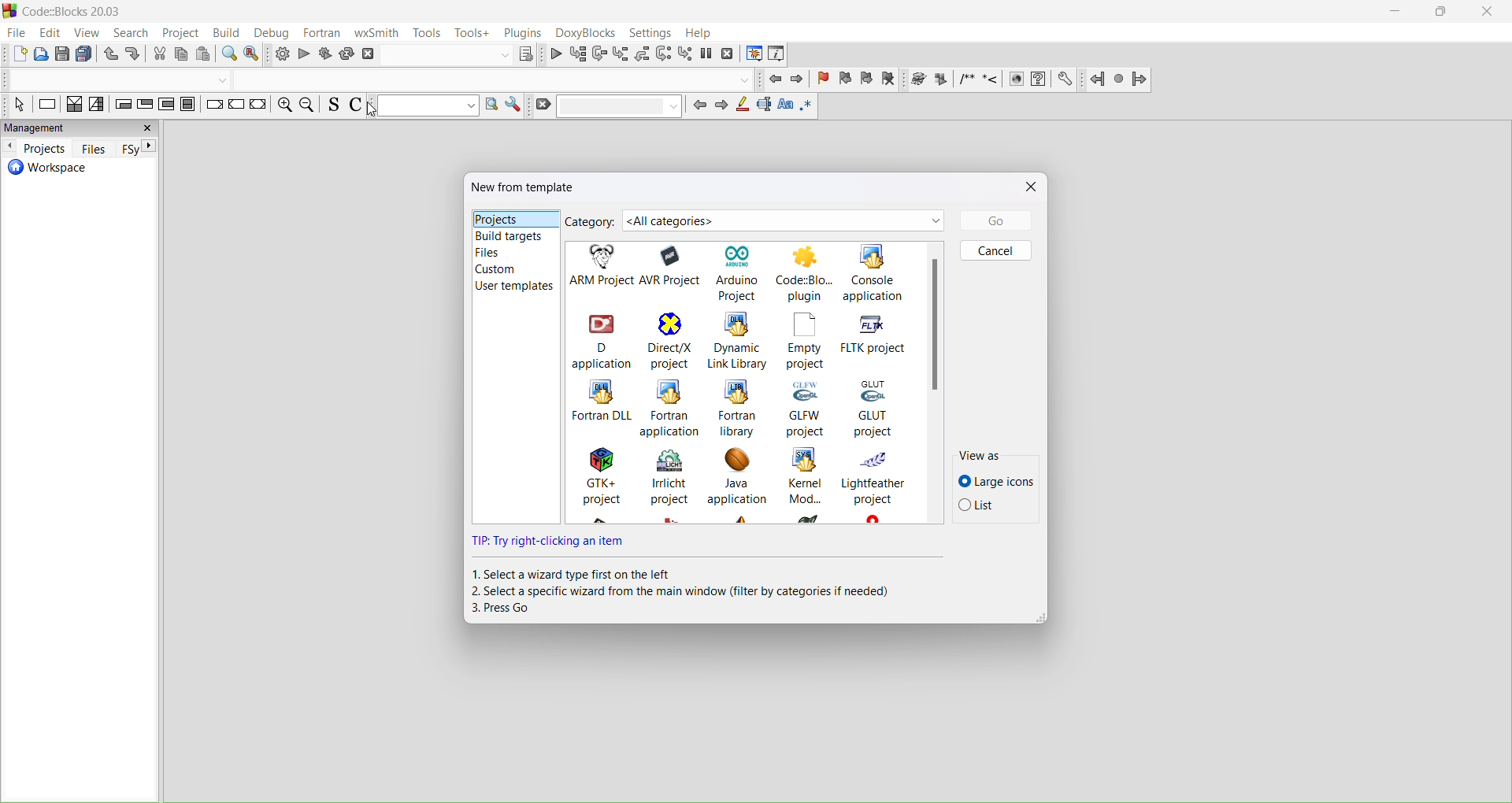 Image resolution: width=1512 pixels, height=803 pixels. Describe the element at coordinates (847, 80) in the screenshot. I see `previous bookmark` at that location.